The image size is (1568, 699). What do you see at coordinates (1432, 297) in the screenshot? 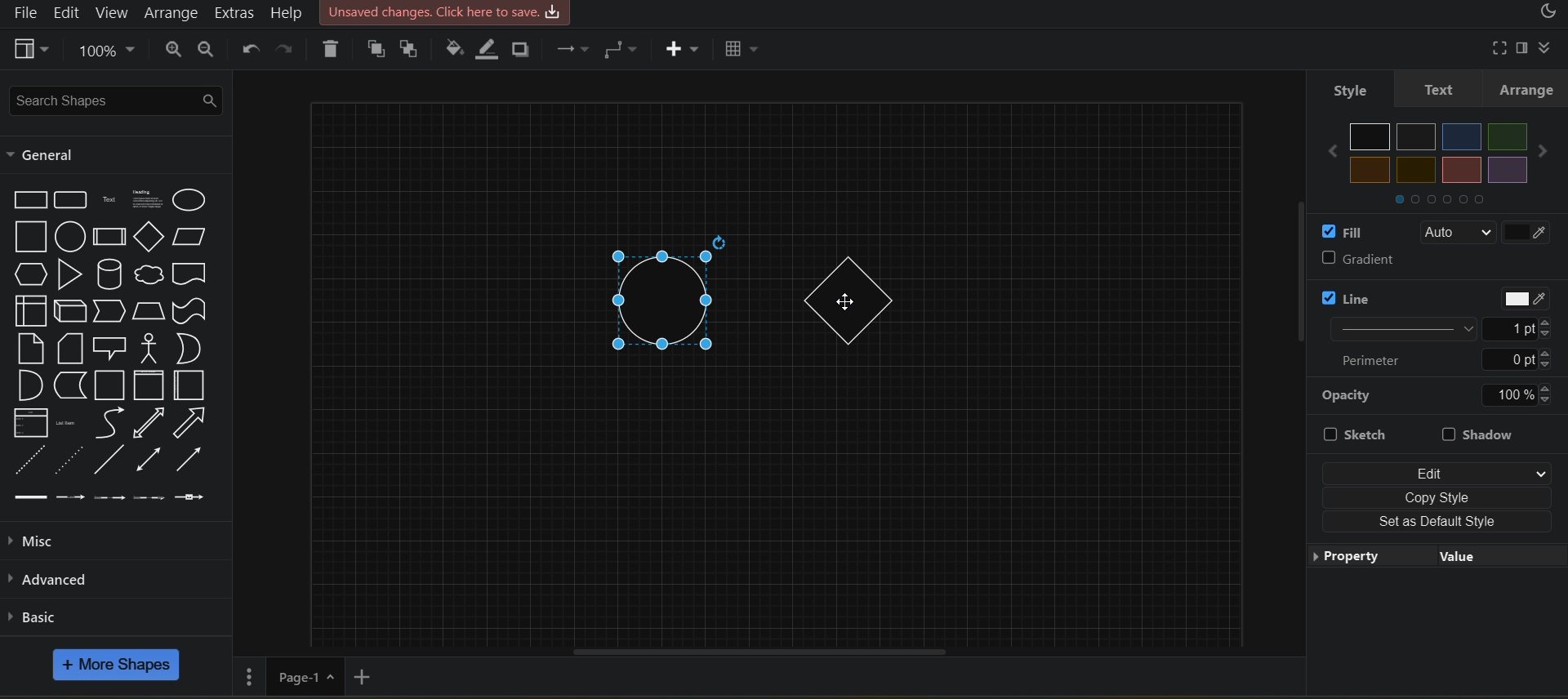
I see `line` at bounding box center [1432, 297].